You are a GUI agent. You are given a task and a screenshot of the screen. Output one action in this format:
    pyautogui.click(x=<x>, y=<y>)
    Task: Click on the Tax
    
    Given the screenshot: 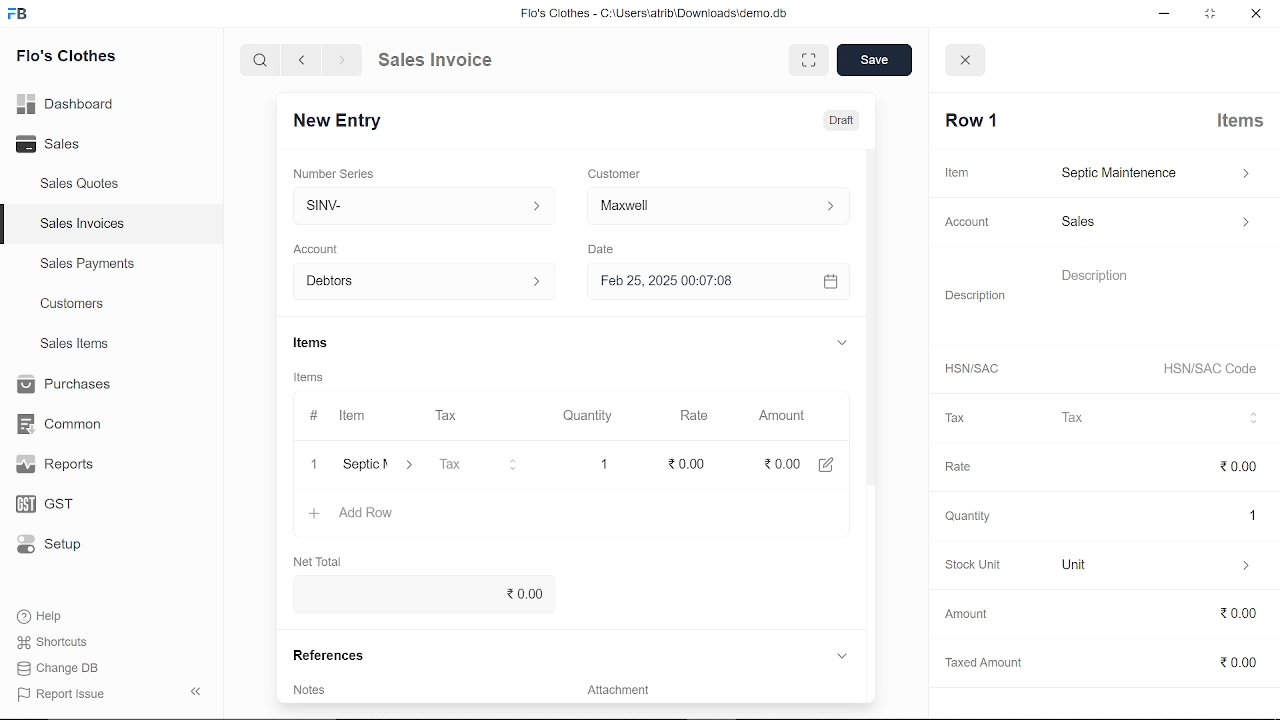 What is the action you would take?
    pyautogui.click(x=461, y=417)
    